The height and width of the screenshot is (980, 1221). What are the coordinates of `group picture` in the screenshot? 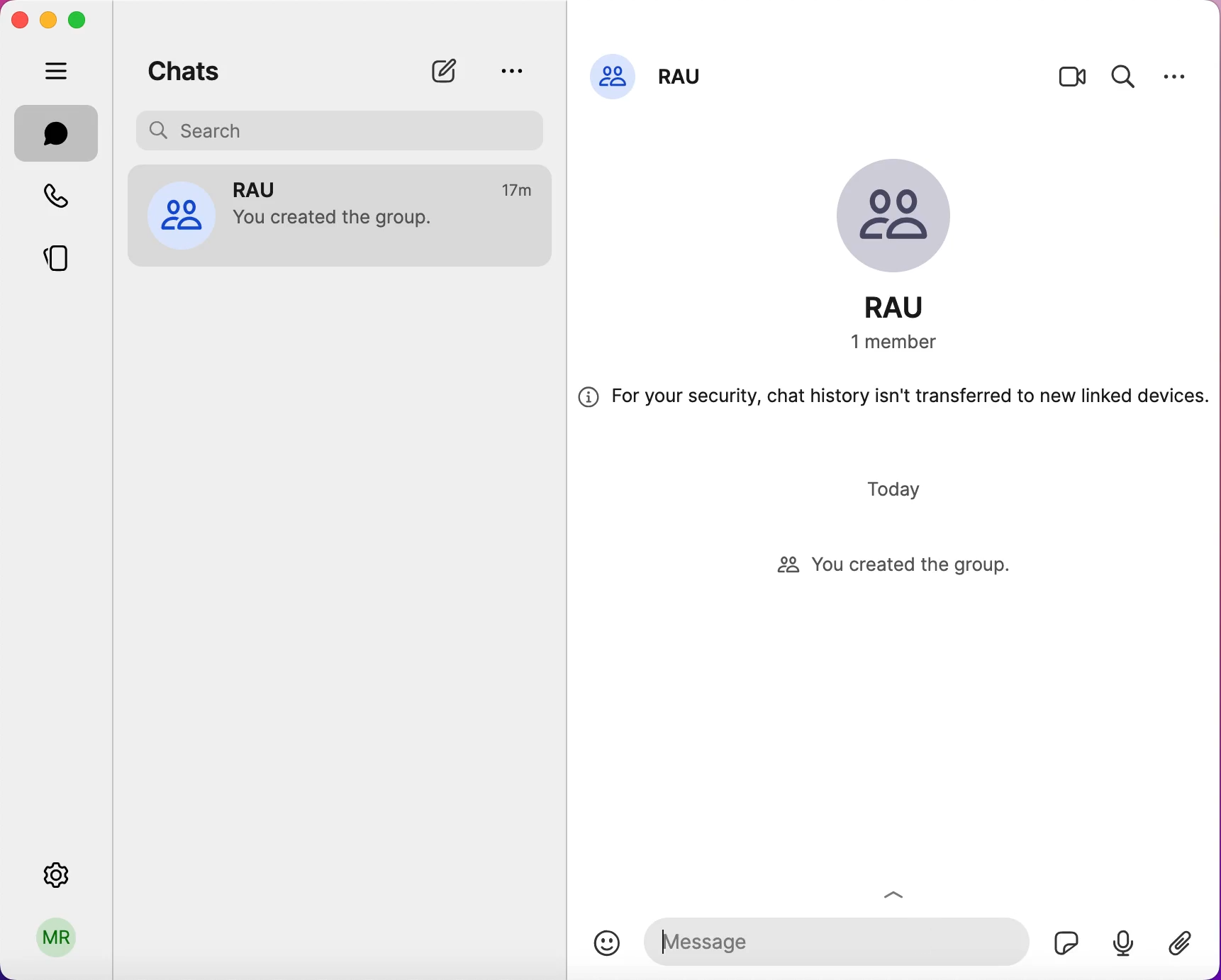 It's located at (906, 219).